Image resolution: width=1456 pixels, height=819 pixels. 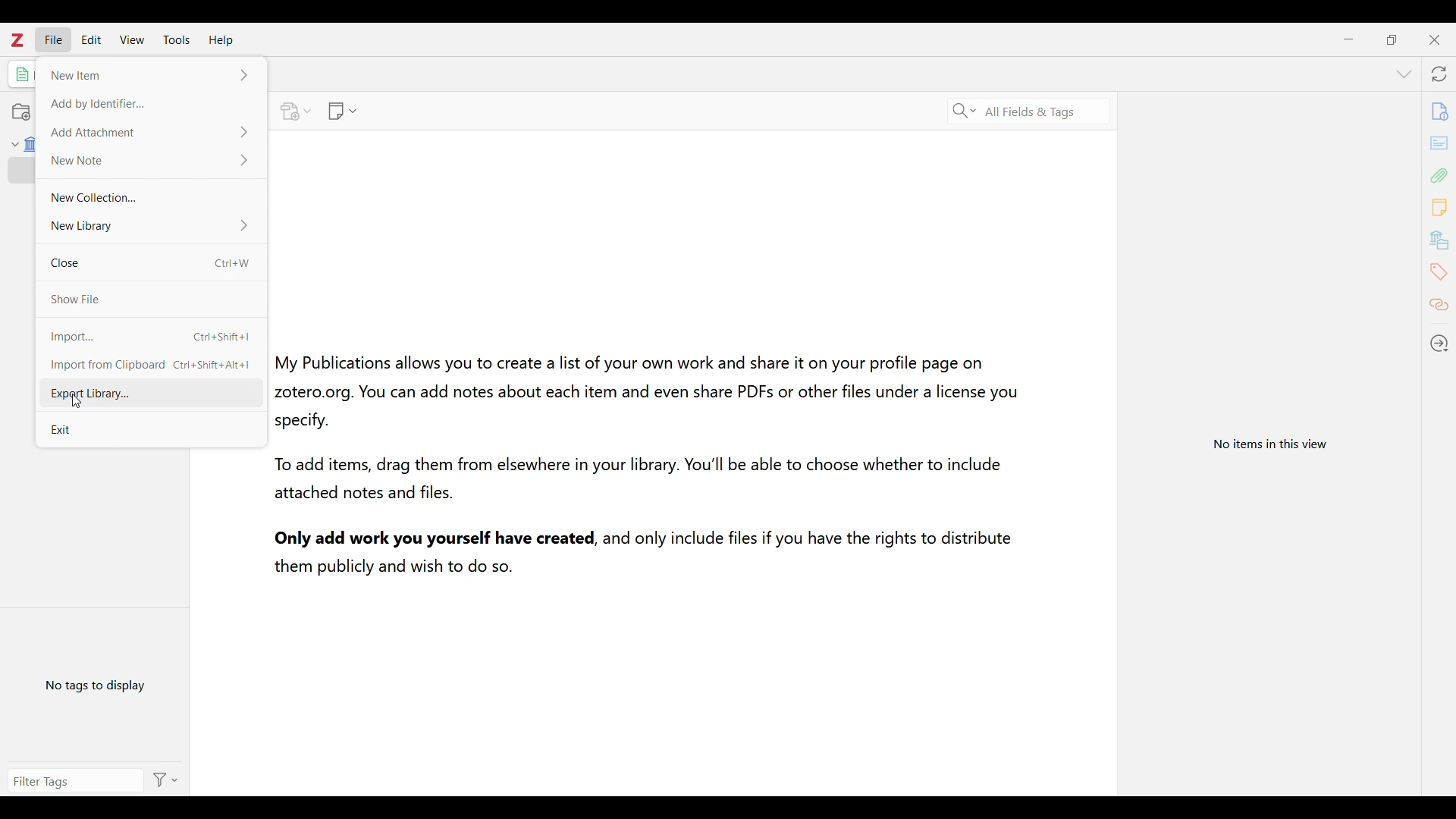 What do you see at coordinates (962, 111) in the screenshot?
I see `Specific search criteria options` at bounding box center [962, 111].